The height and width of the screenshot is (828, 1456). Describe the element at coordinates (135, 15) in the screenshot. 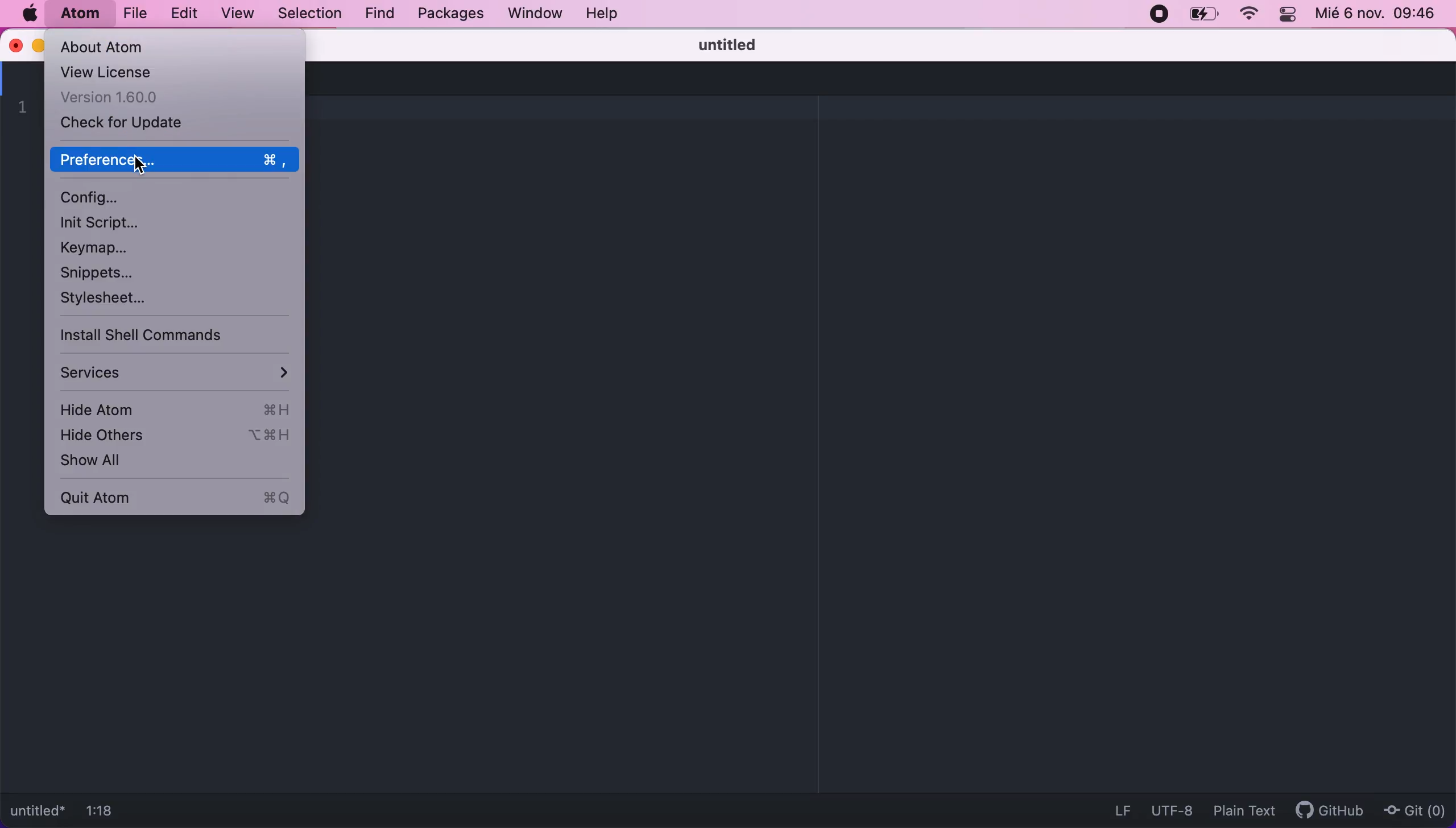

I see `file` at that location.